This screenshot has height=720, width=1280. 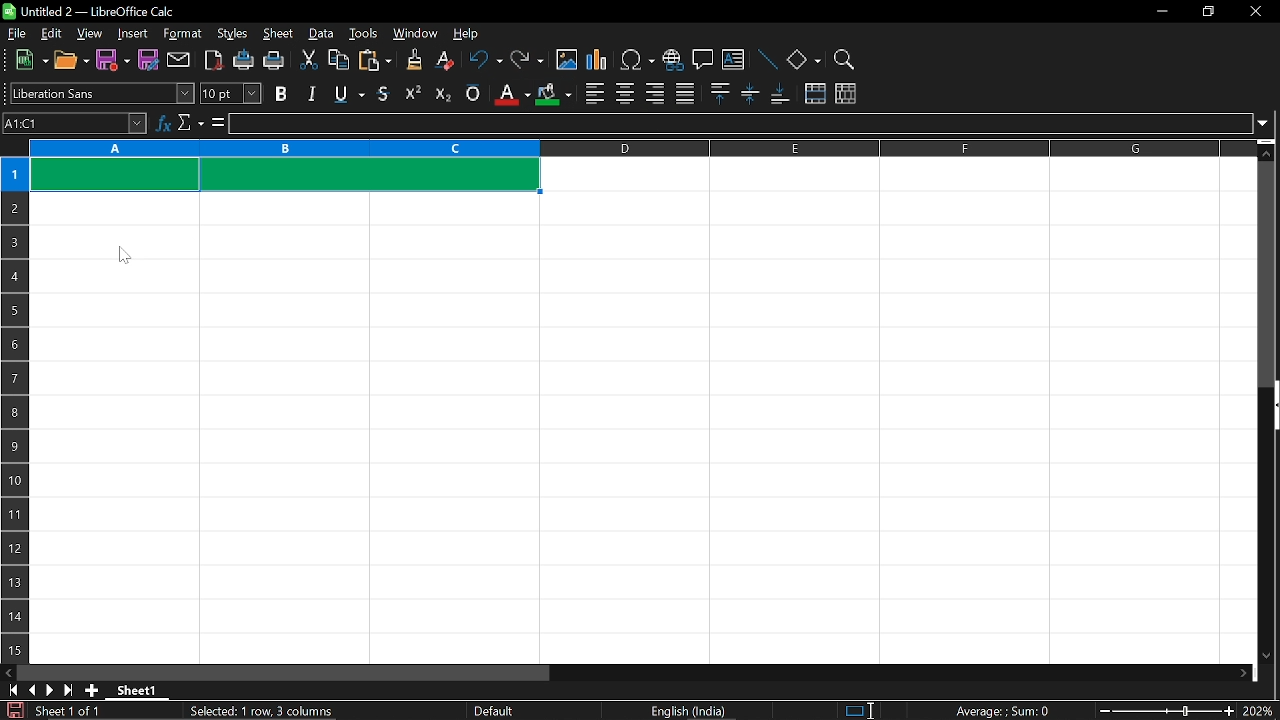 What do you see at coordinates (103, 94) in the screenshot?
I see `text style` at bounding box center [103, 94].